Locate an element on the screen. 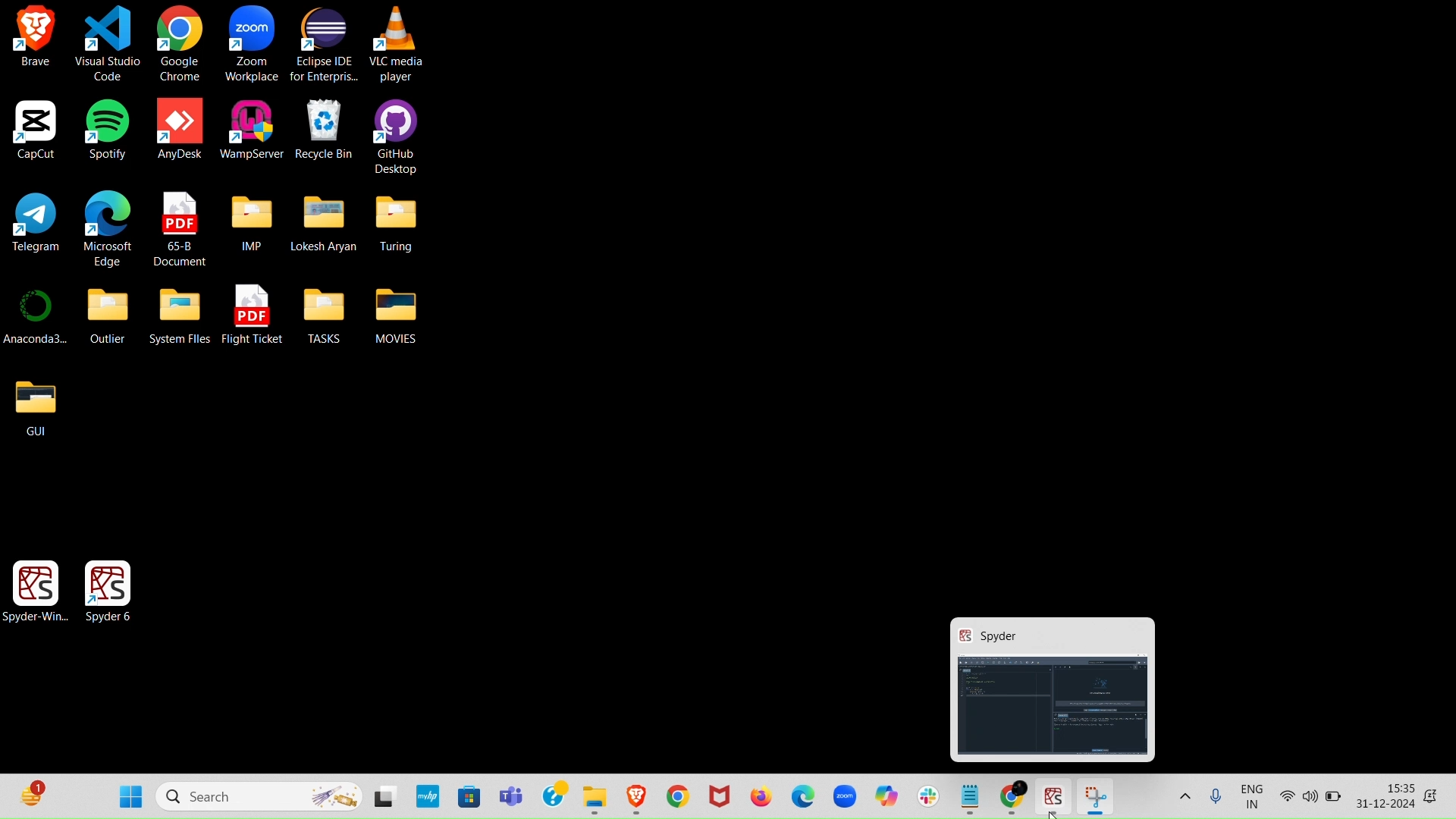 The height and width of the screenshot is (819, 1456). Google chrome is located at coordinates (180, 45).